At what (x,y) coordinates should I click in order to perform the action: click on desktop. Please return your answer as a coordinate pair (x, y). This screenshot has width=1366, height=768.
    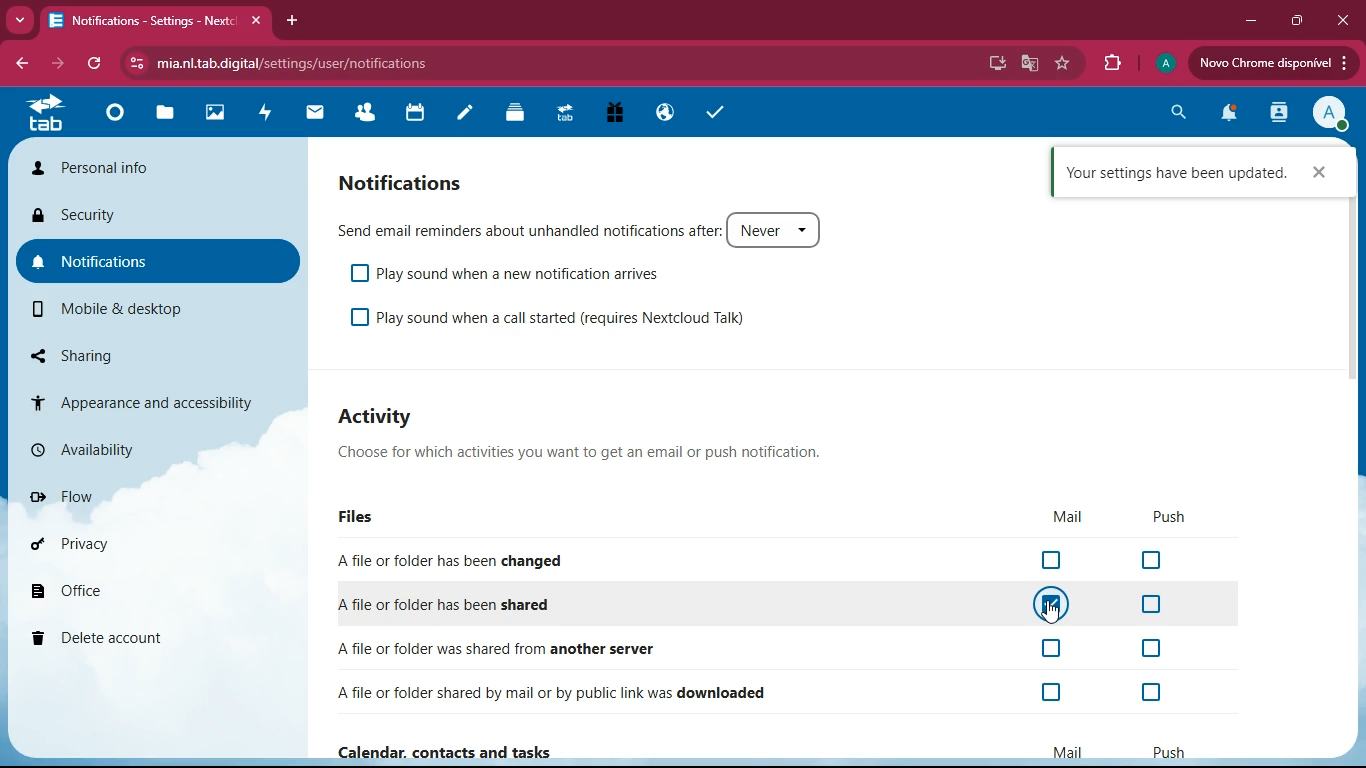
    Looking at the image, I should click on (992, 65).